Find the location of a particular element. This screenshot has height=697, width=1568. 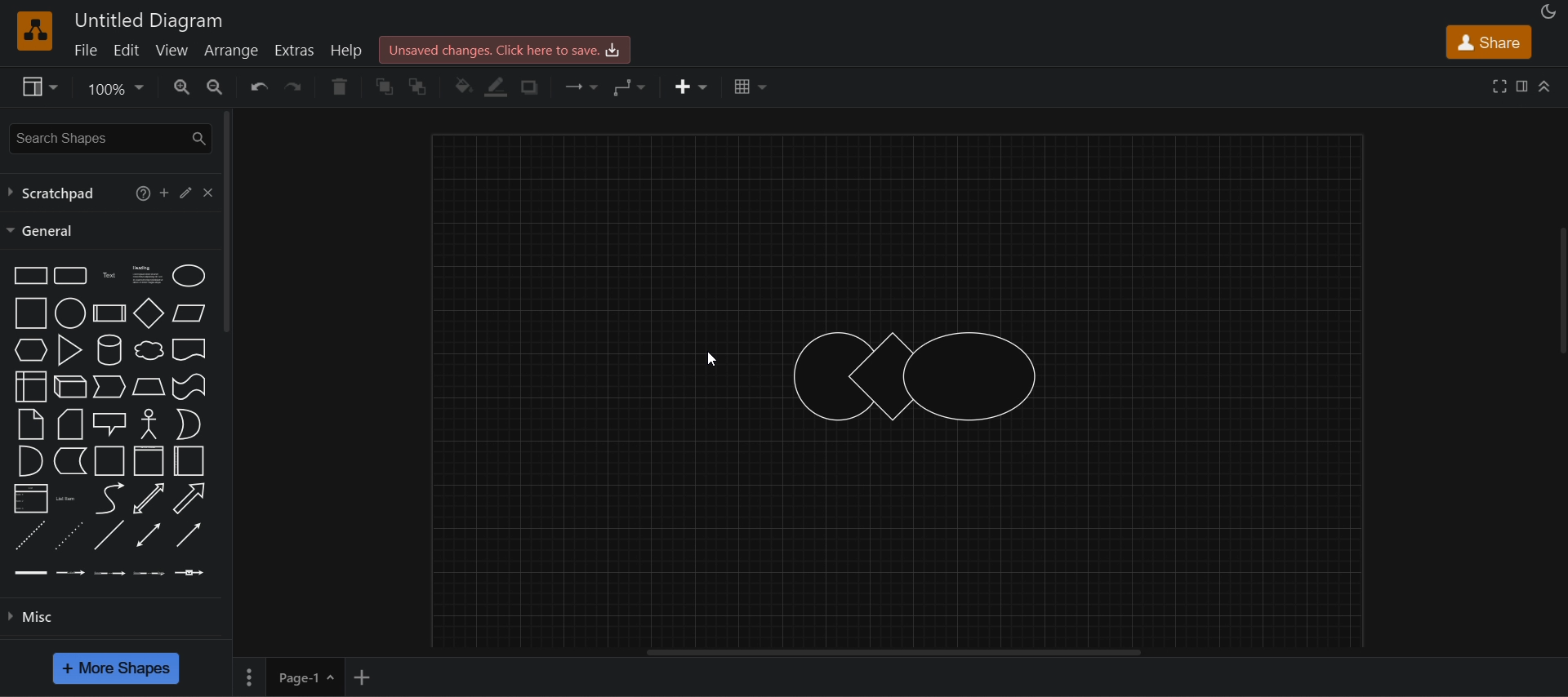

connector with label is located at coordinates (71, 570).